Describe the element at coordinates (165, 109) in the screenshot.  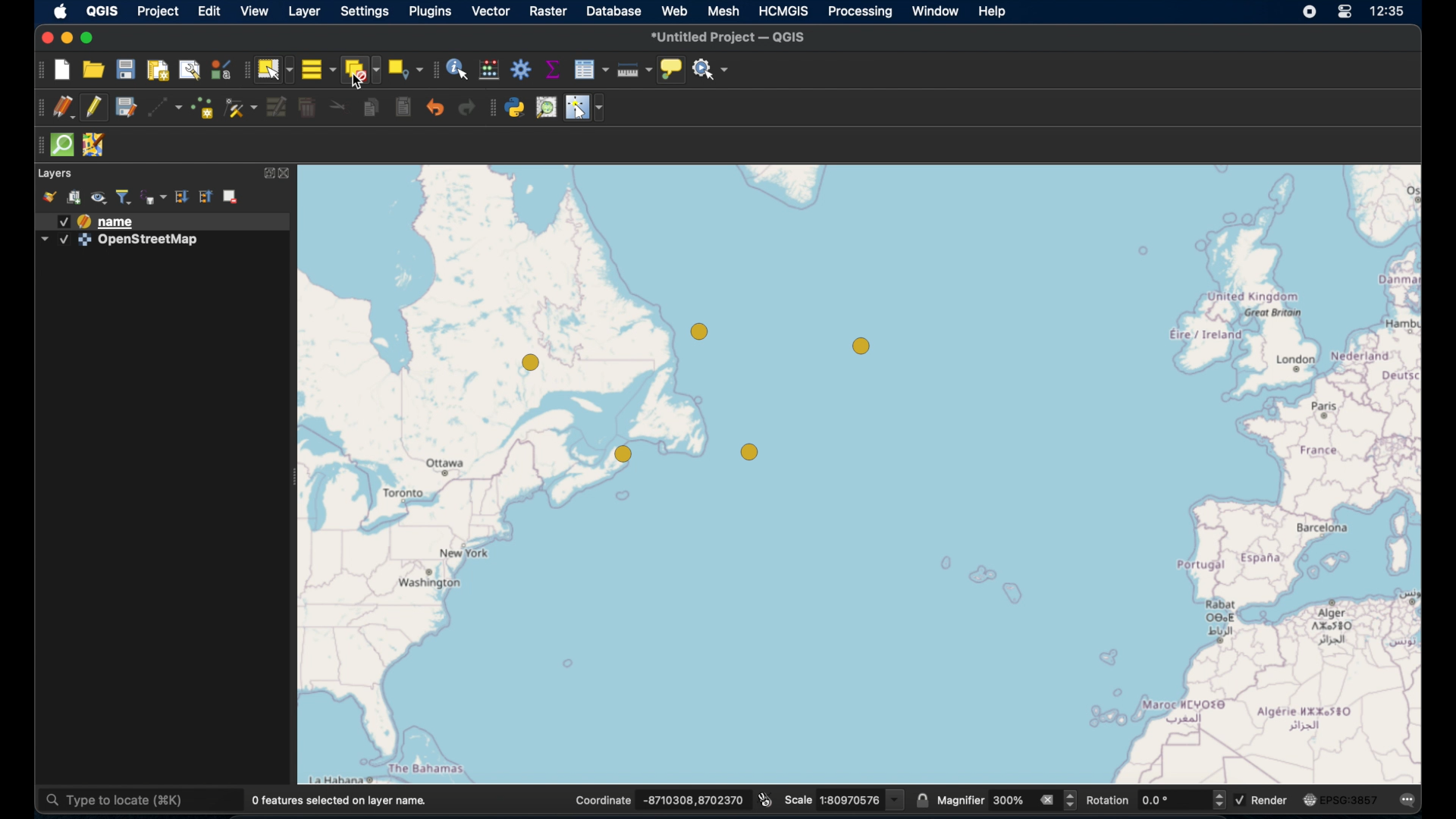
I see `digitize with segment` at that location.